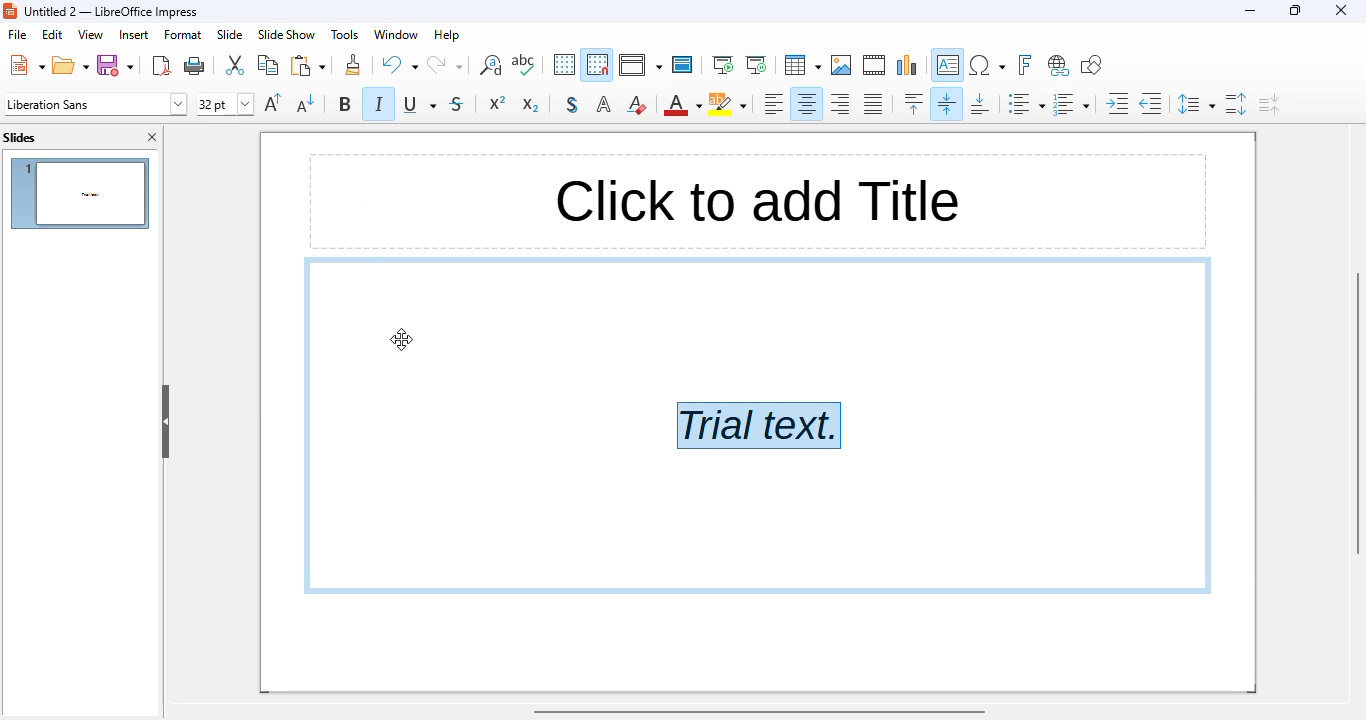 This screenshot has height=720, width=1366. Describe the element at coordinates (563, 65) in the screenshot. I see `display grid` at that location.